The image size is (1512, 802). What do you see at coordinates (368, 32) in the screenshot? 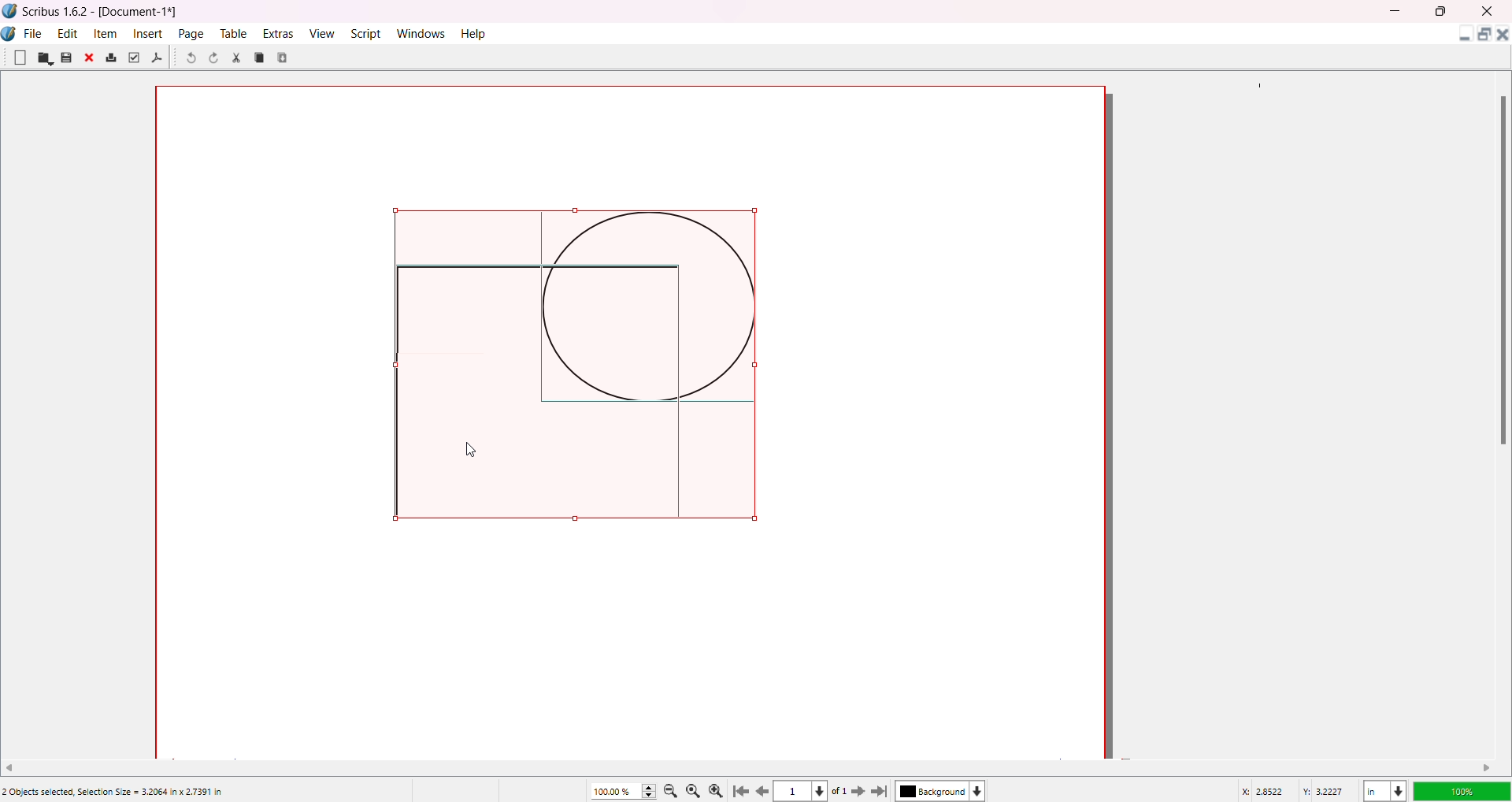
I see `Script` at bounding box center [368, 32].